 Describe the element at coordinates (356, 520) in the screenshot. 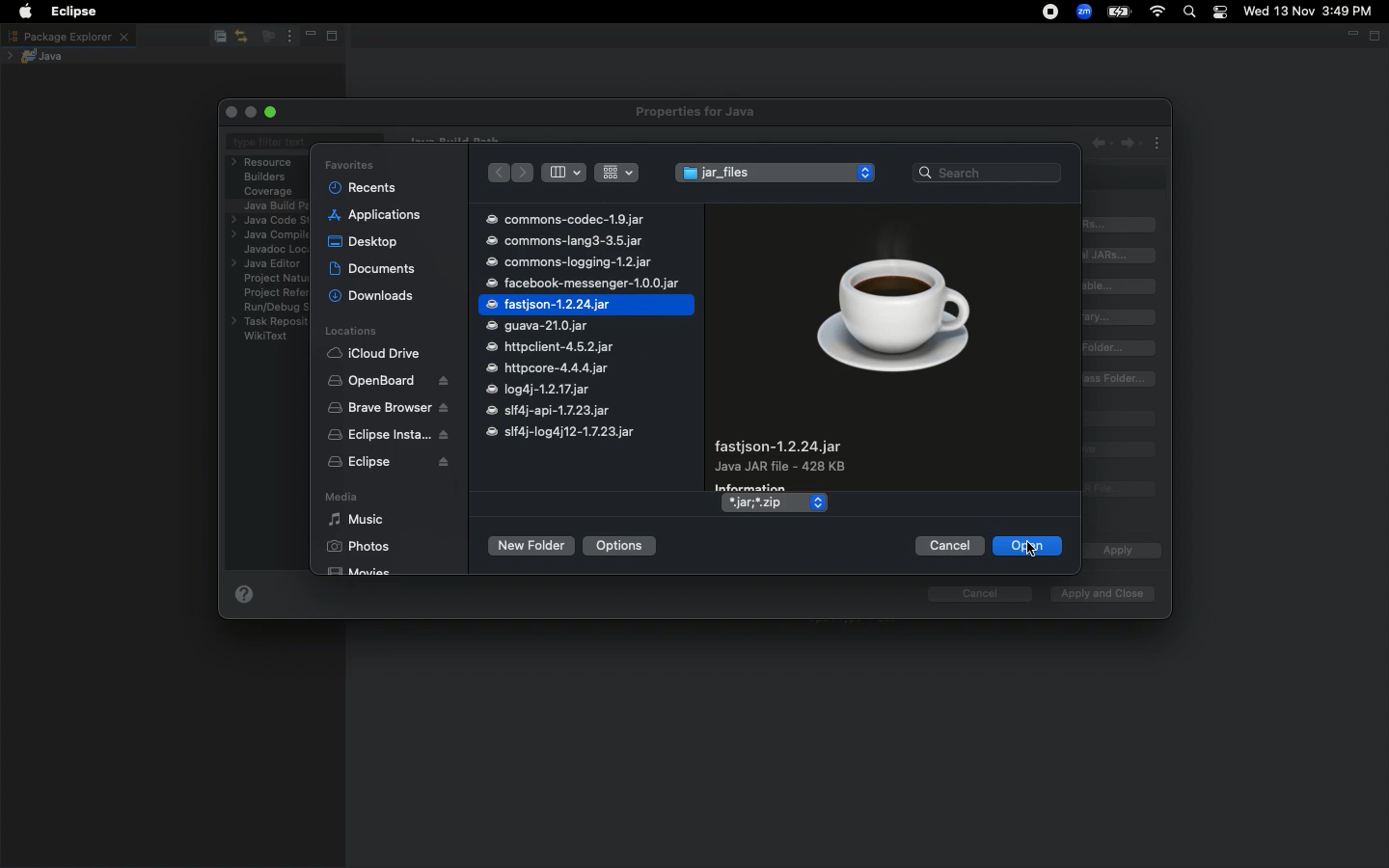

I see `Music` at that location.